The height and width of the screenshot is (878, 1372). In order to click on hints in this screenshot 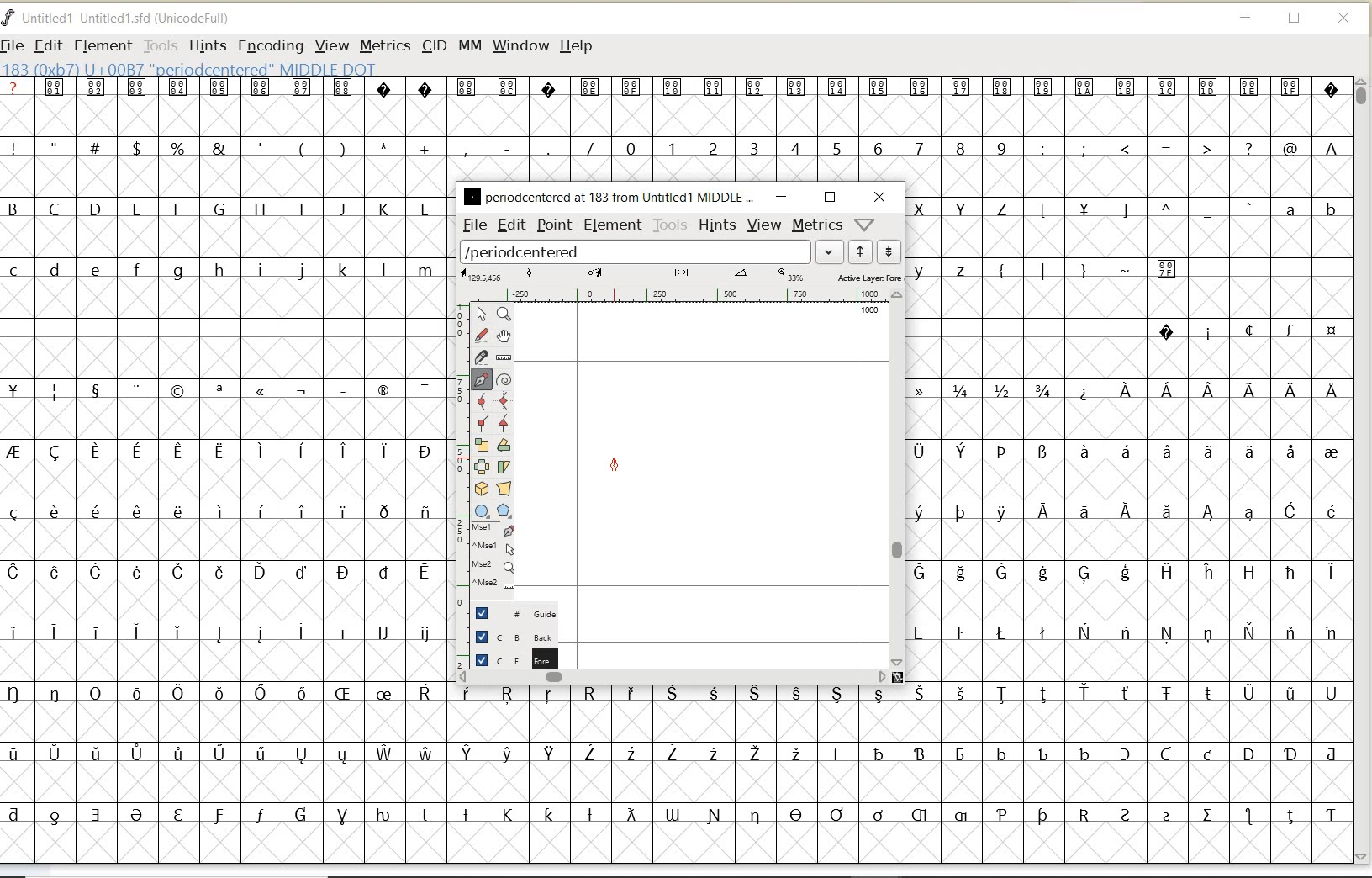, I will do `click(718, 225)`.